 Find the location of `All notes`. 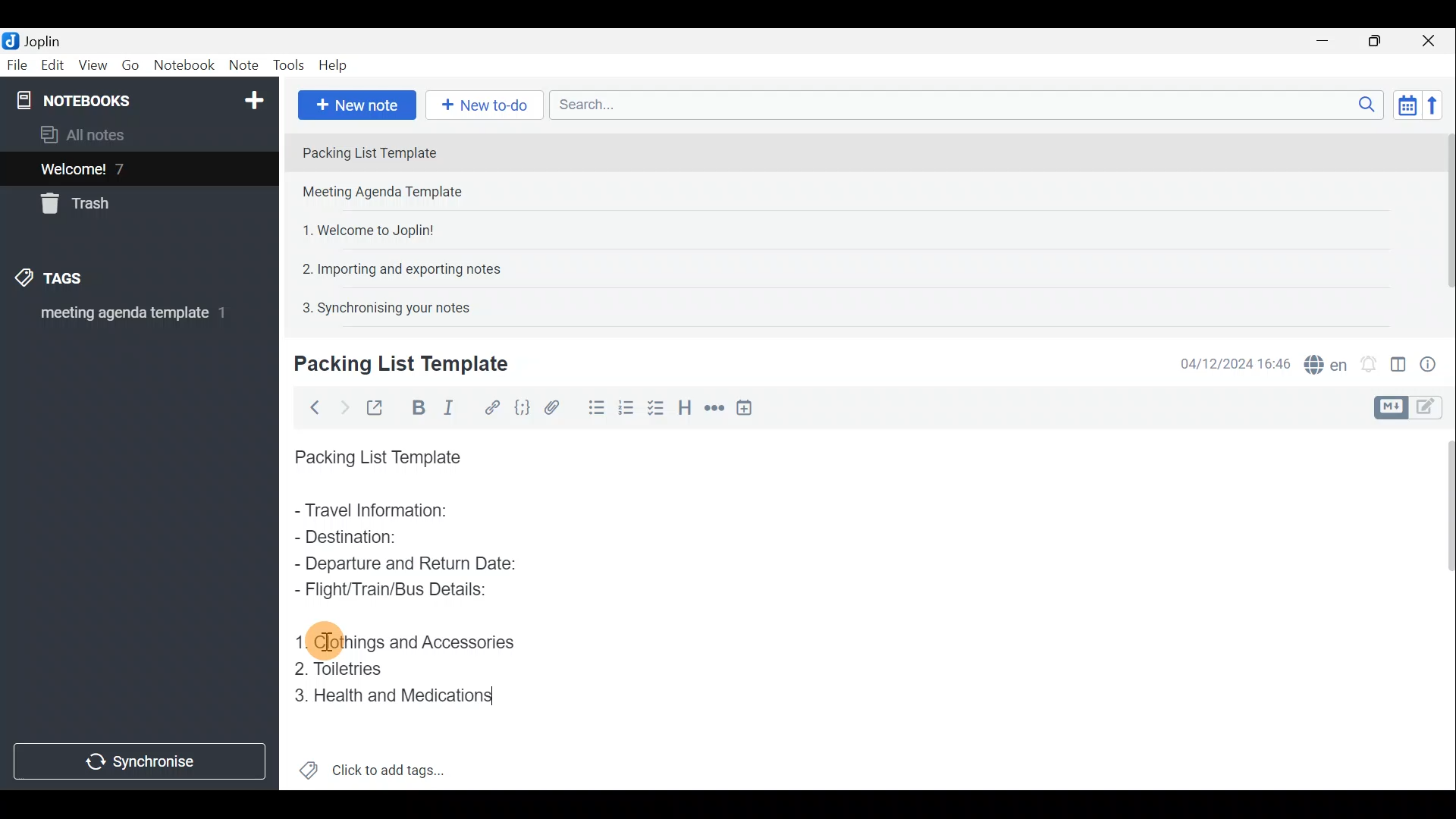

All notes is located at coordinates (88, 134).